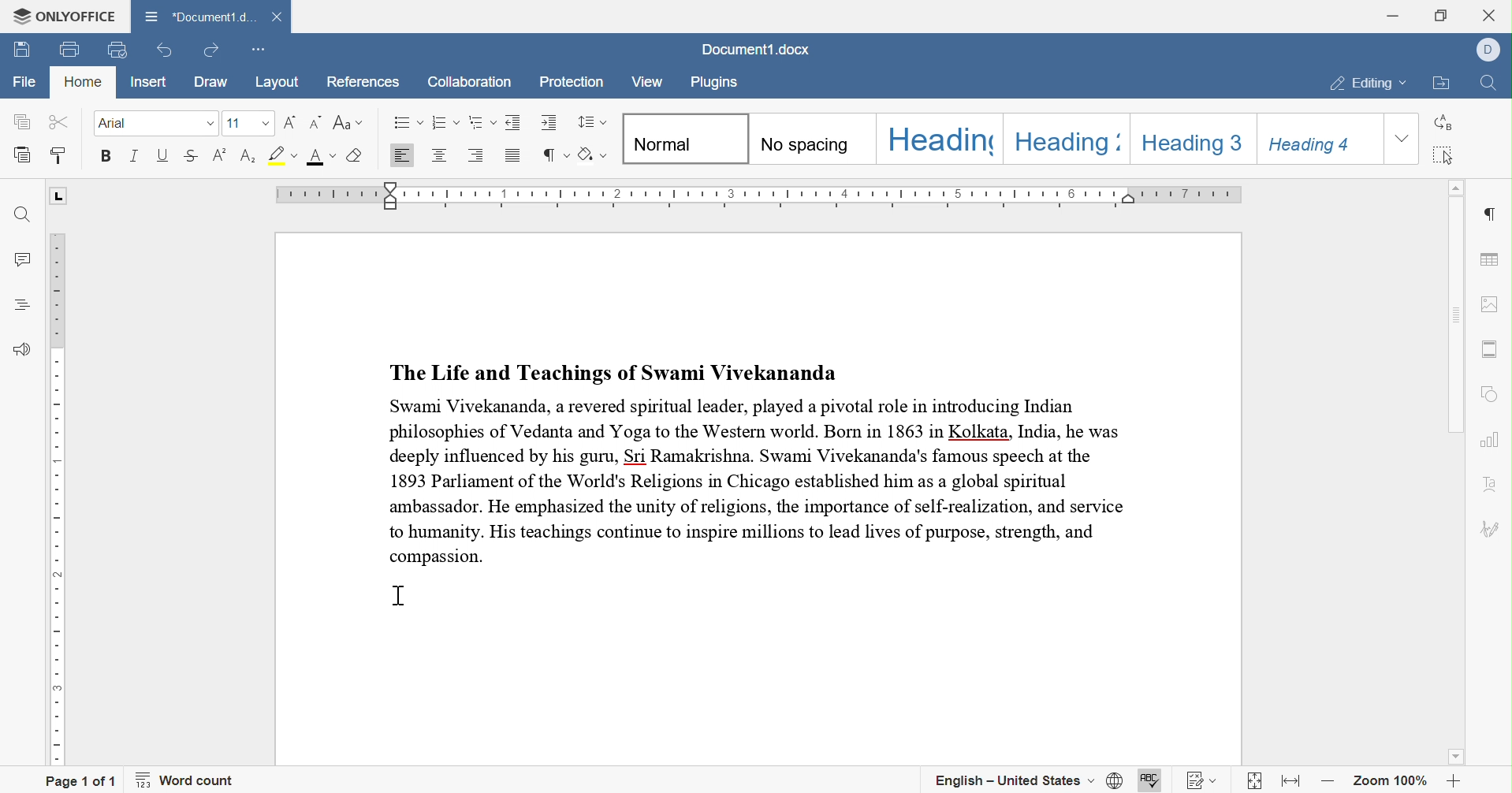 The height and width of the screenshot is (793, 1512). What do you see at coordinates (408, 122) in the screenshot?
I see `bullets` at bounding box center [408, 122].